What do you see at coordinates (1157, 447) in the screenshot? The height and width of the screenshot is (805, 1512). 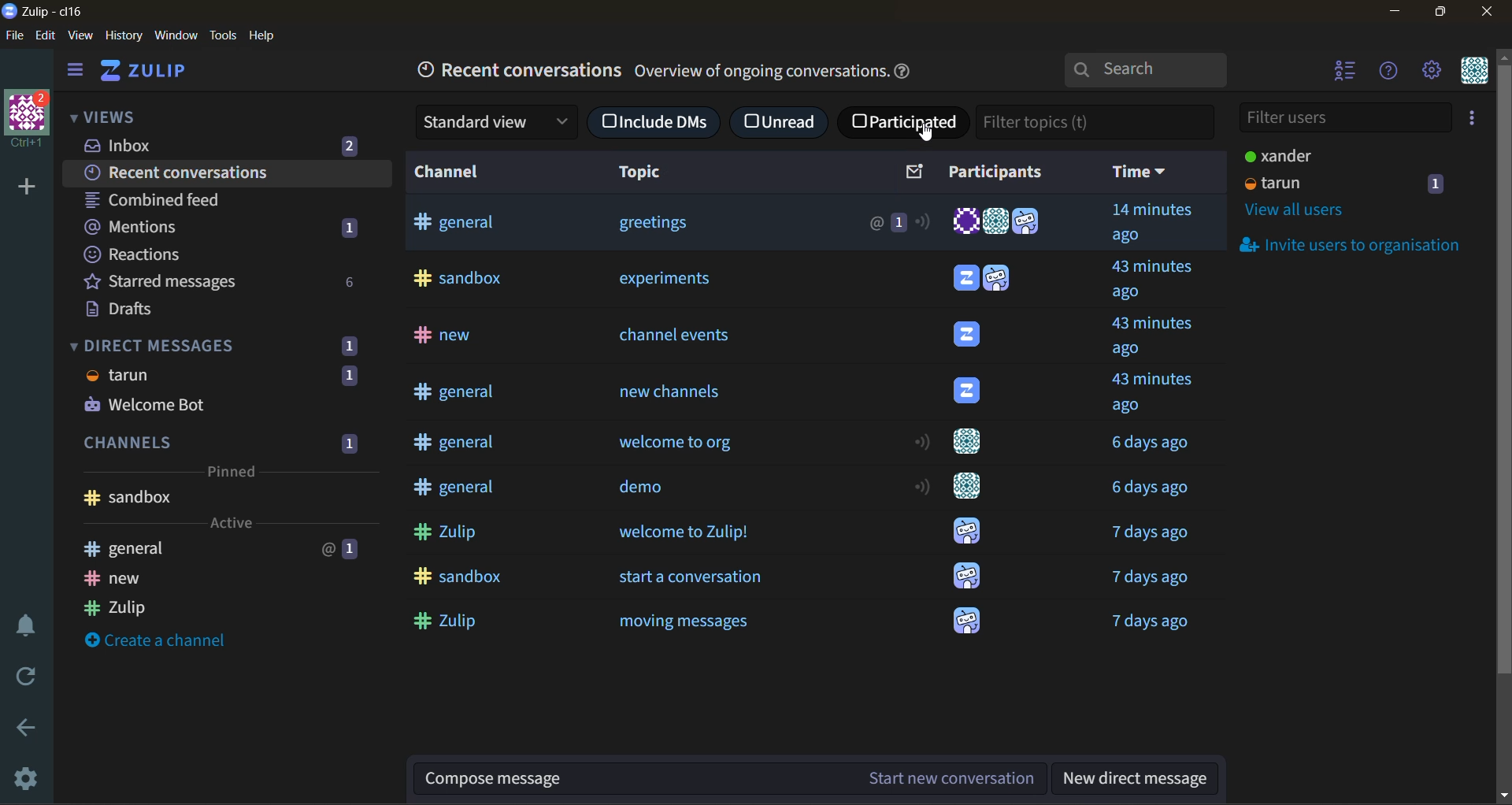 I see `` at bounding box center [1157, 447].